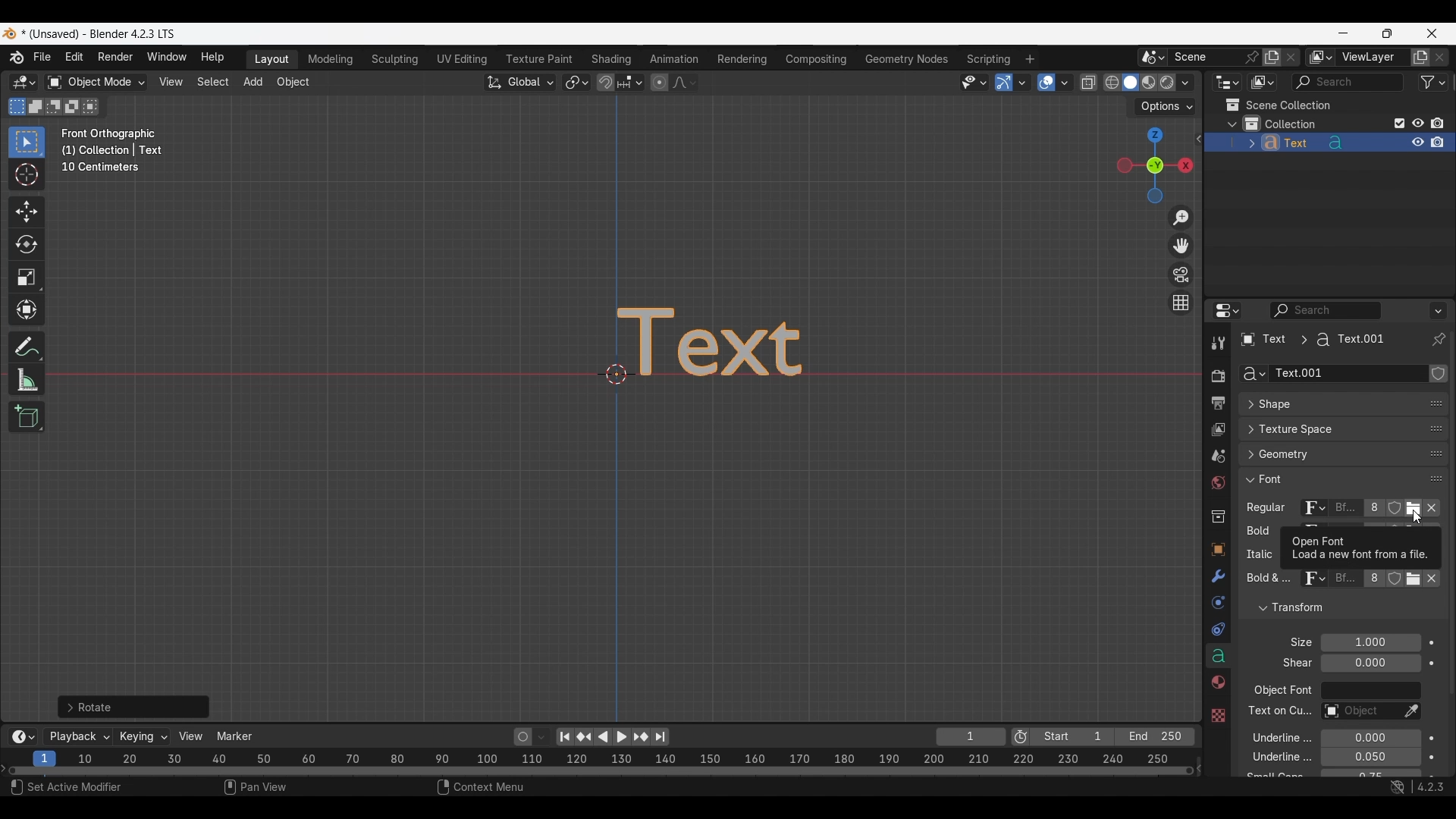 The image size is (1456, 819). I want to click on Selectability and visibility, so click(974, 83).